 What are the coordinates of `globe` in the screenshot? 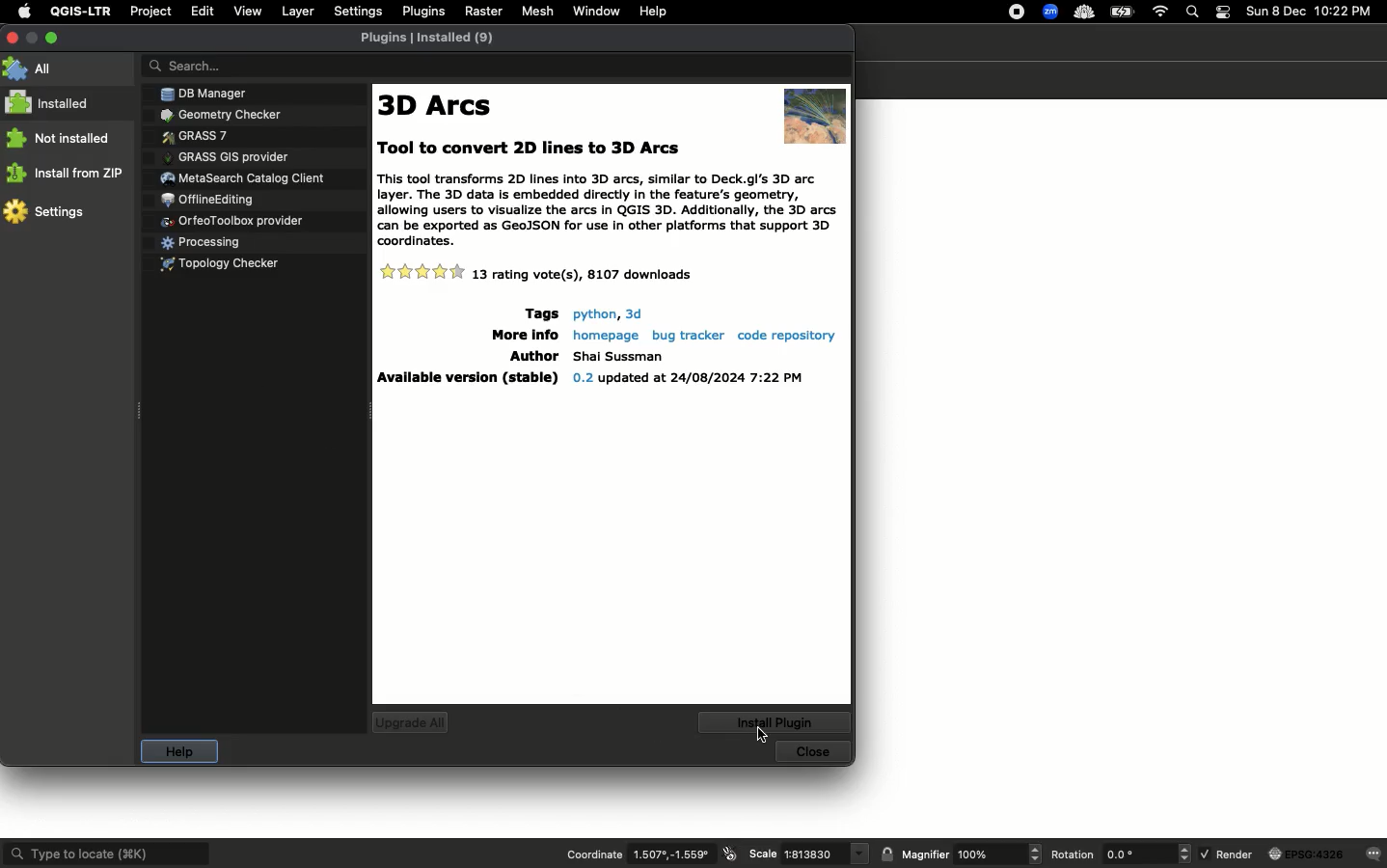 It's located at (1308, 854).